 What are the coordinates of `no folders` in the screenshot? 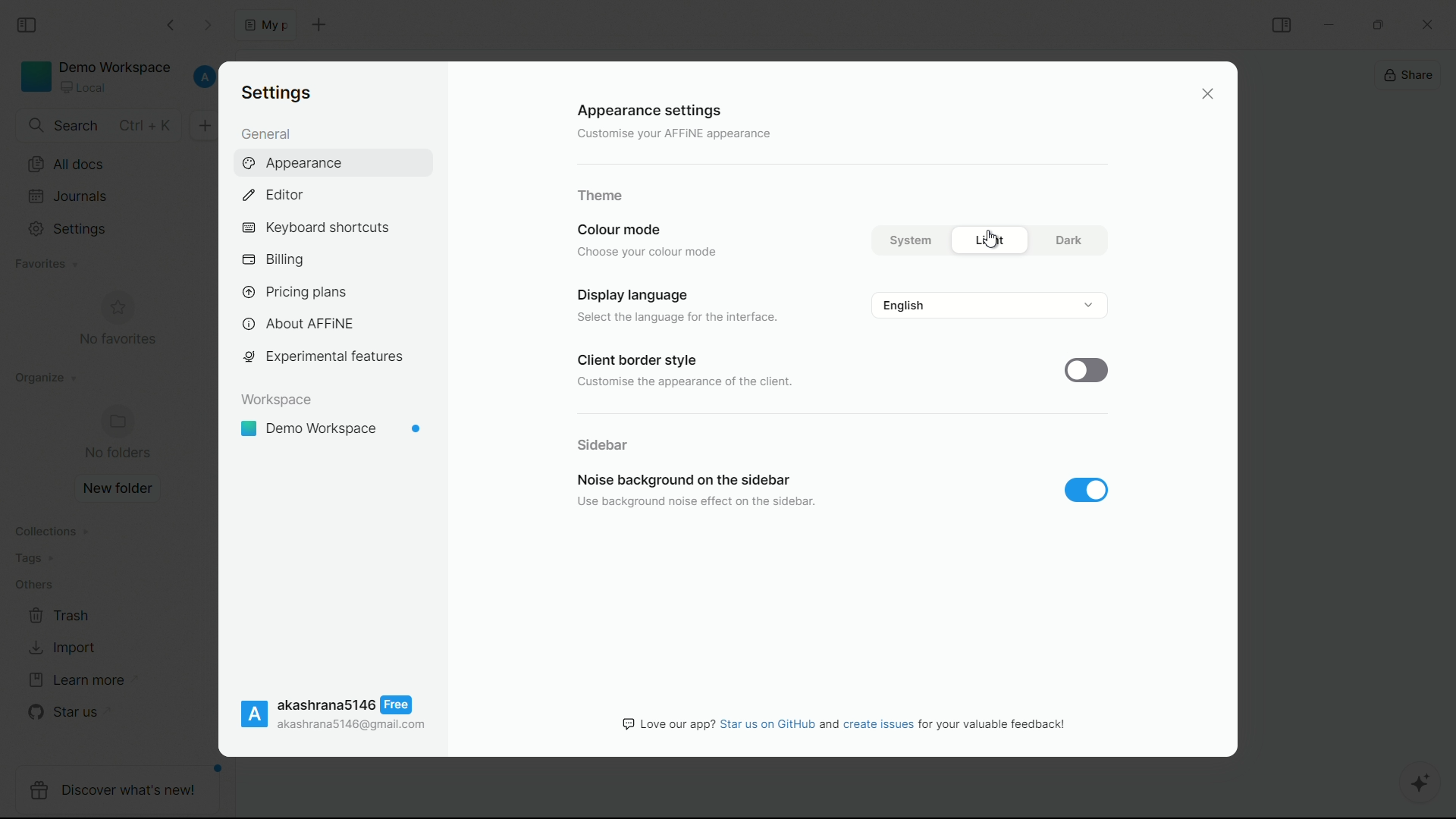 It's located at (120, 435).